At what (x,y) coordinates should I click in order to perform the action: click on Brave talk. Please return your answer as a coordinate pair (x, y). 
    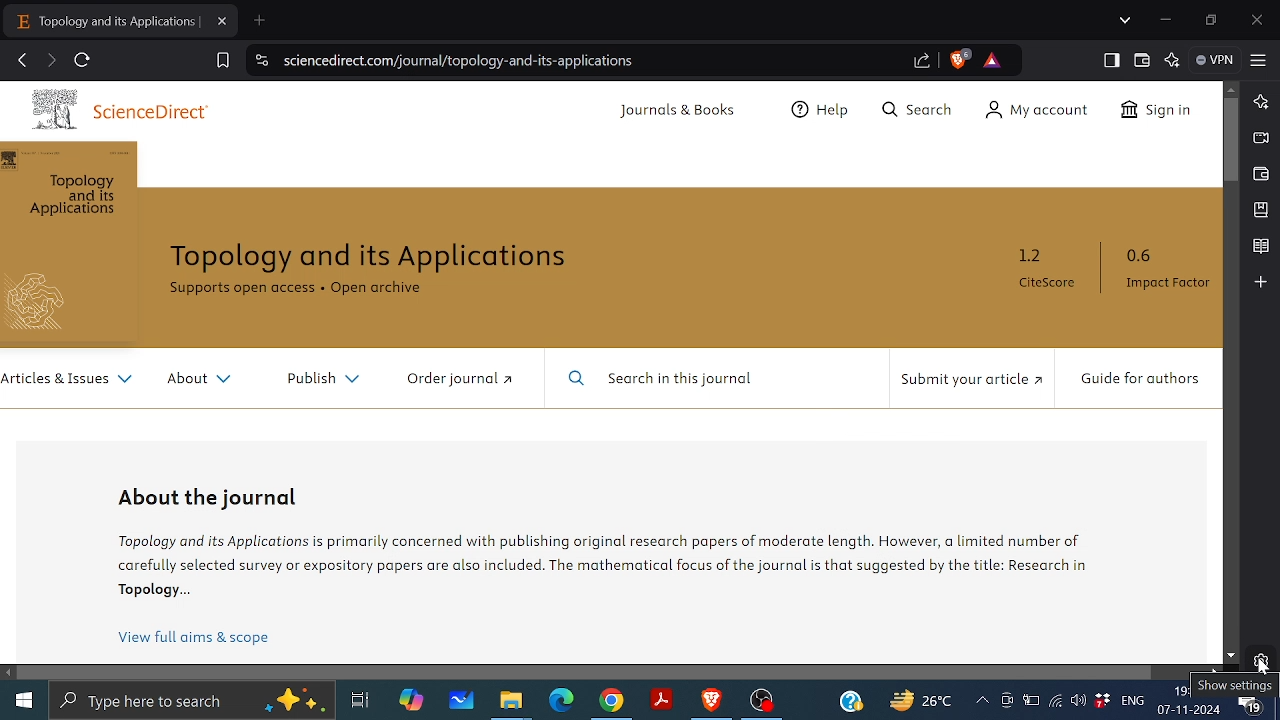
    Looking at the image, I should click on (1259, 136).